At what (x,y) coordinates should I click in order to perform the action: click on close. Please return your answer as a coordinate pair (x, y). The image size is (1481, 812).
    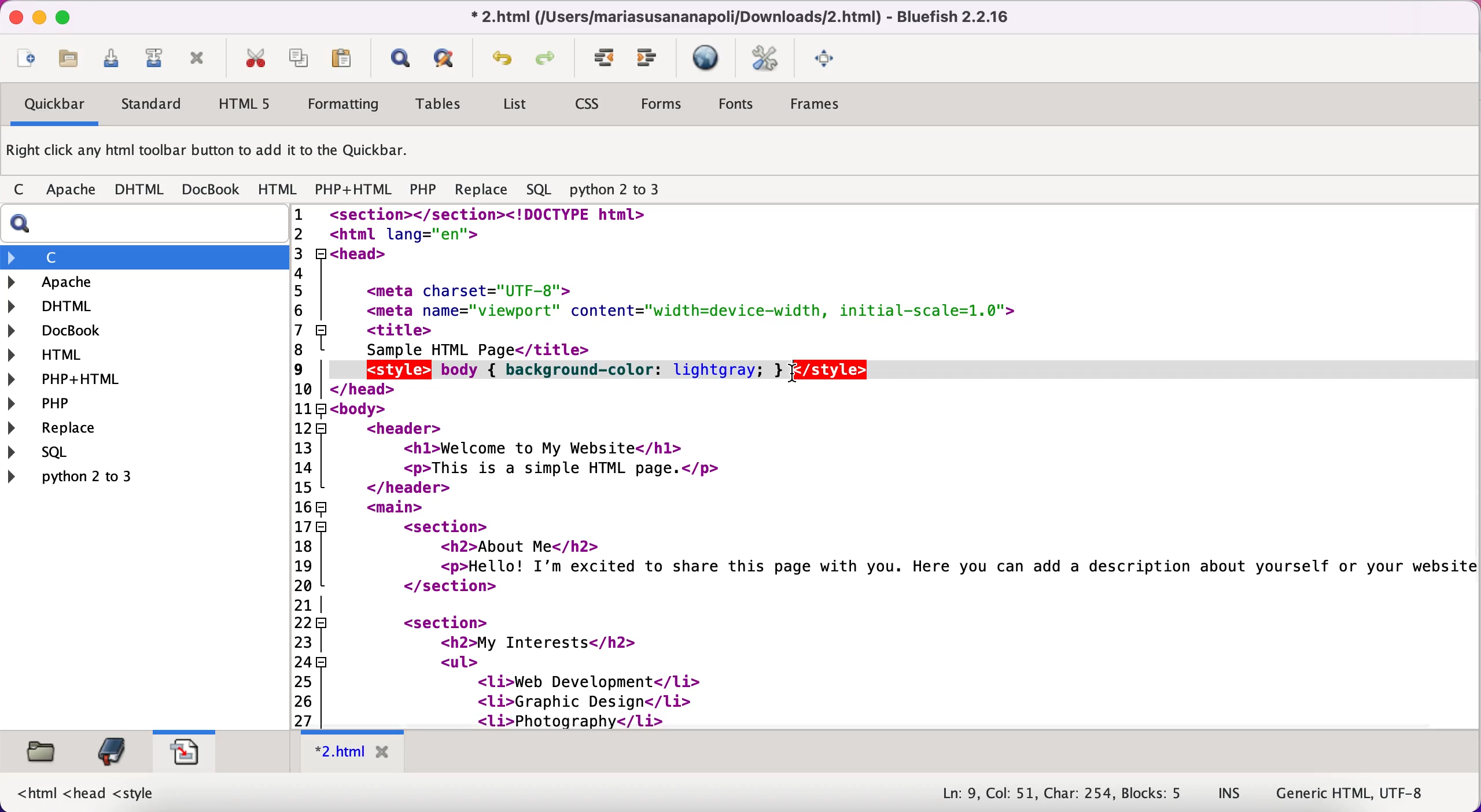
    Looking at the image, I should click on (13, 17).